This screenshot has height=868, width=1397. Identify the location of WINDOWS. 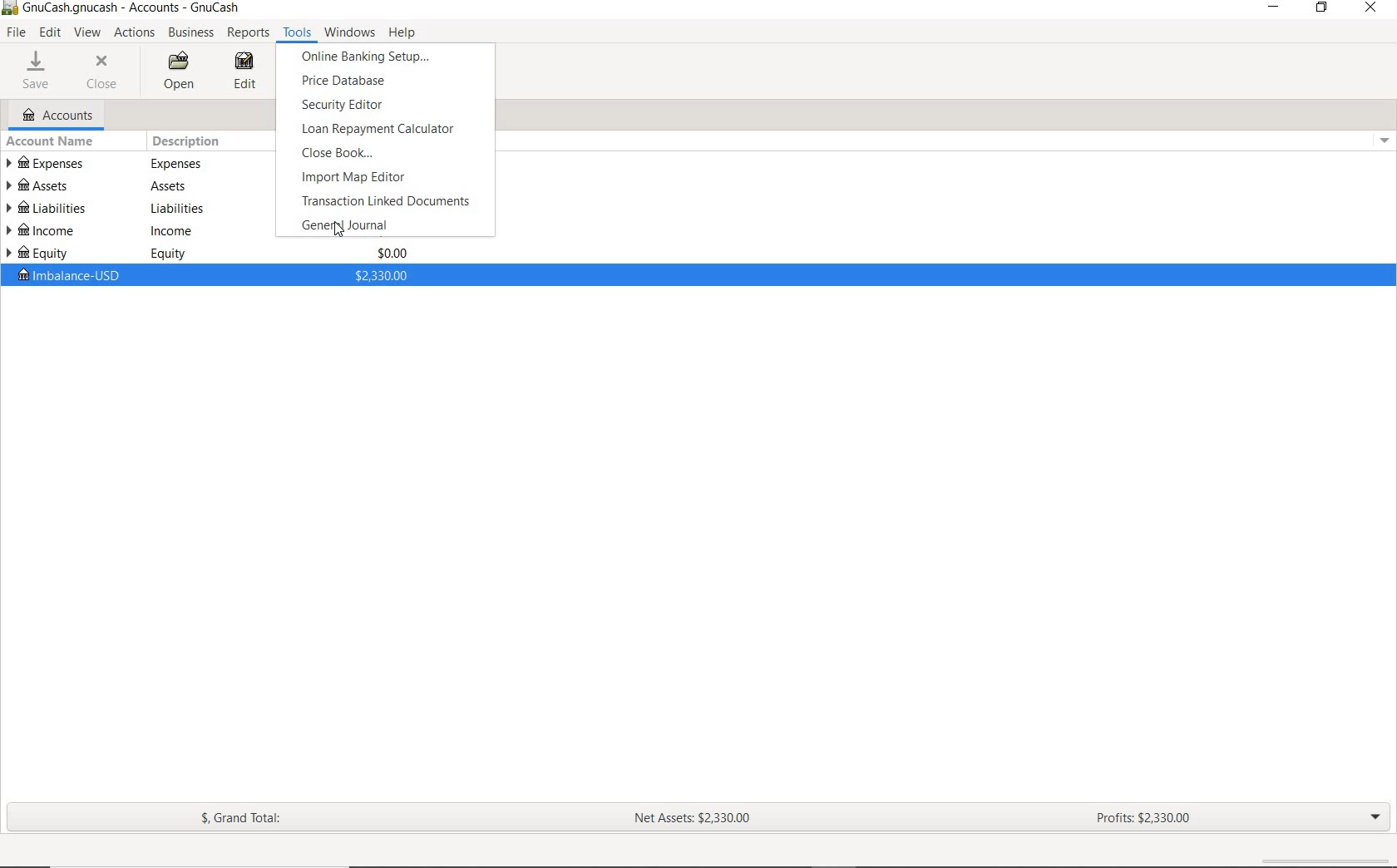
(350, 33).